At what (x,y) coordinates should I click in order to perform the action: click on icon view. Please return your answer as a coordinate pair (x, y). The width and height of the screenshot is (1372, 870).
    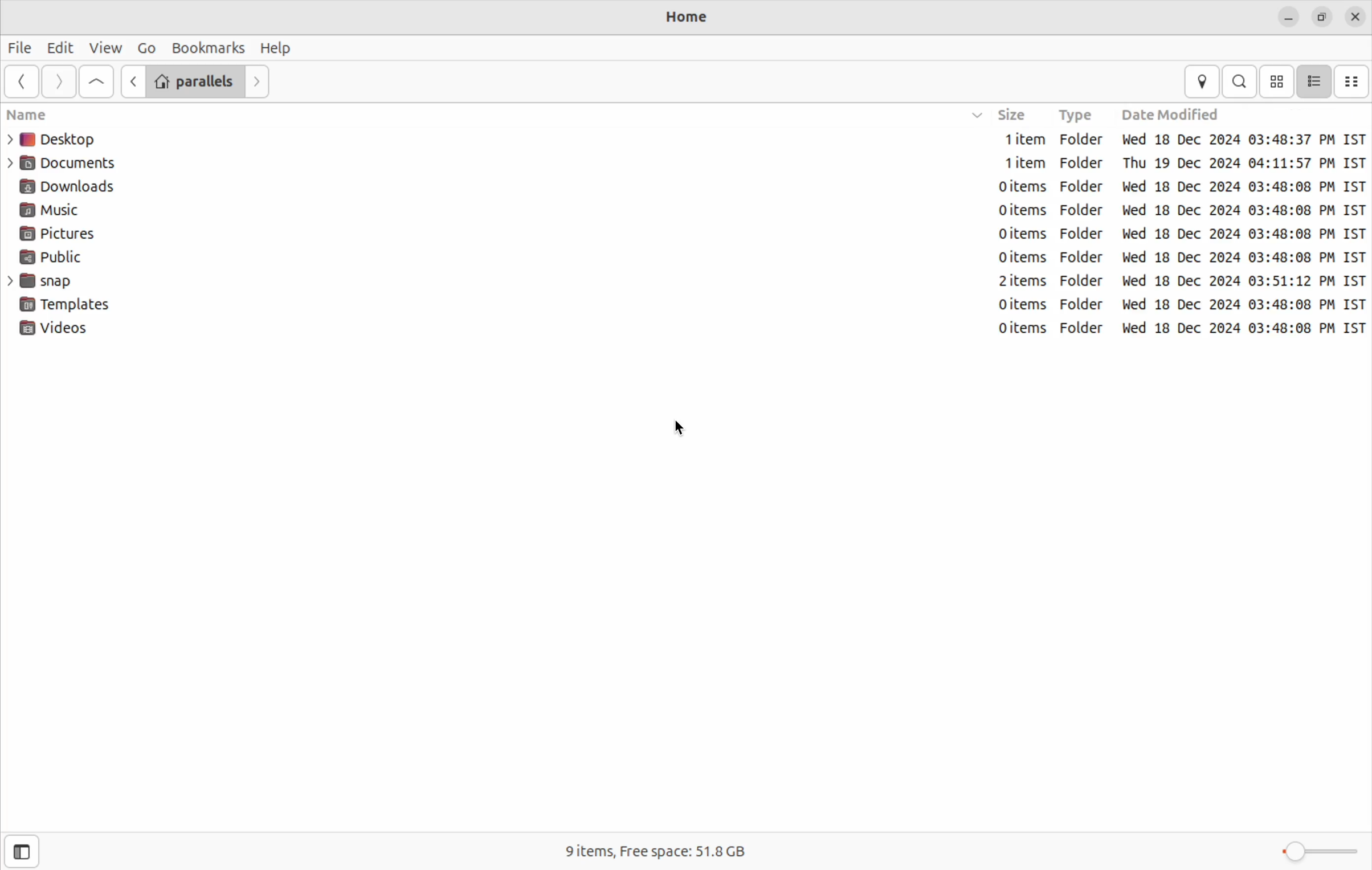
    Looking at the image, I should click on (1277, 80).